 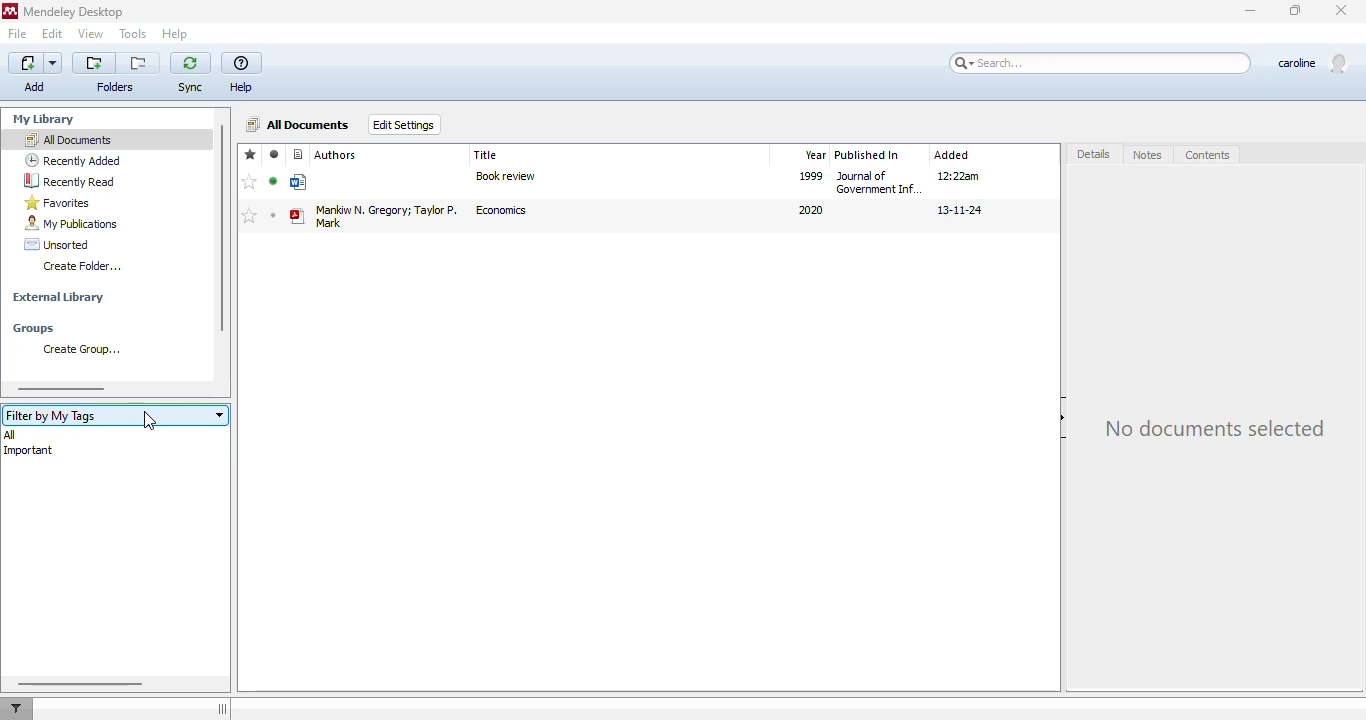 I want to click on hide, so click(x=1065, y=417).